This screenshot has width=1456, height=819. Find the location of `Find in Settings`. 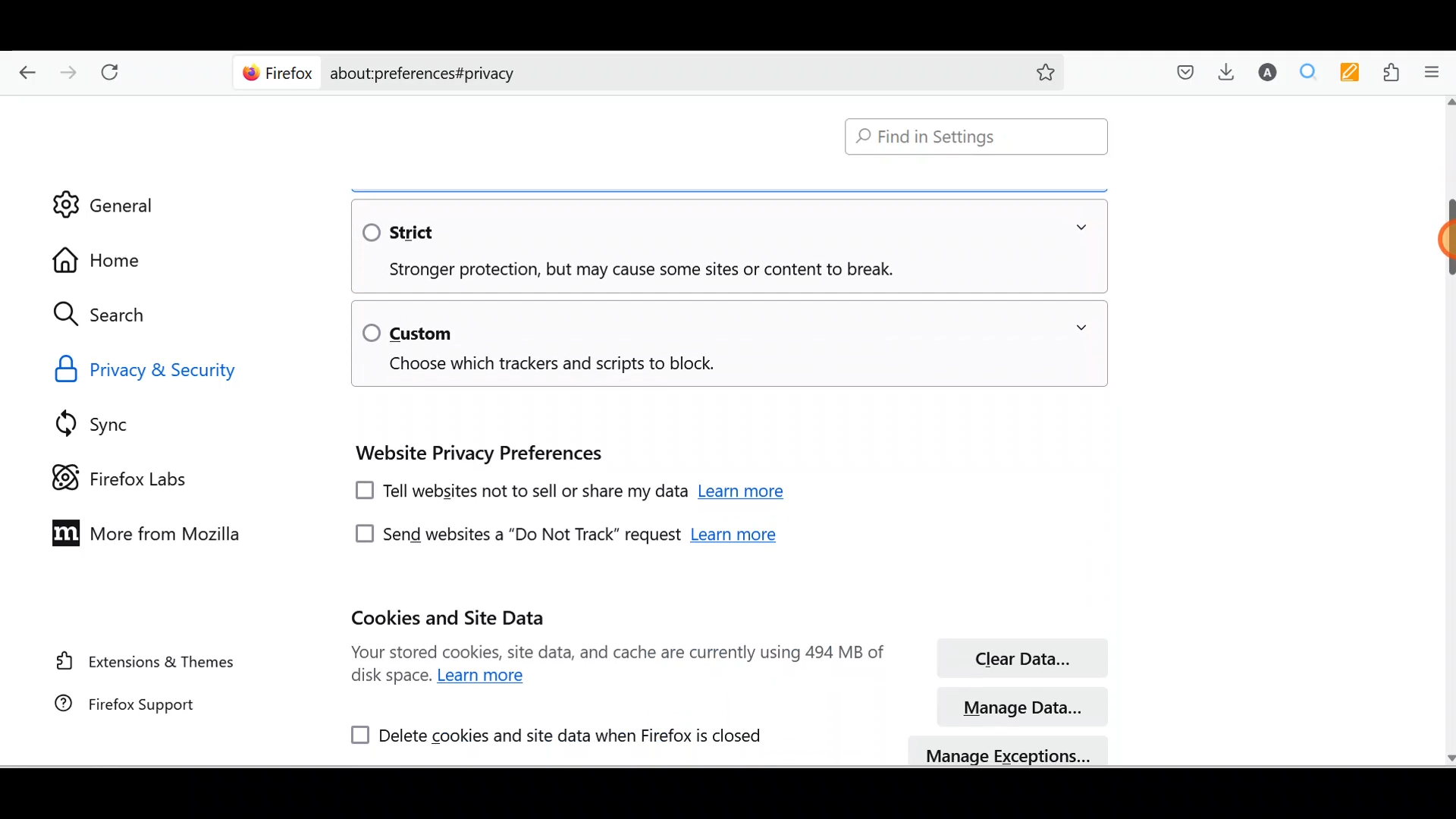

Find in Settings is located at coordinates (974, 135).